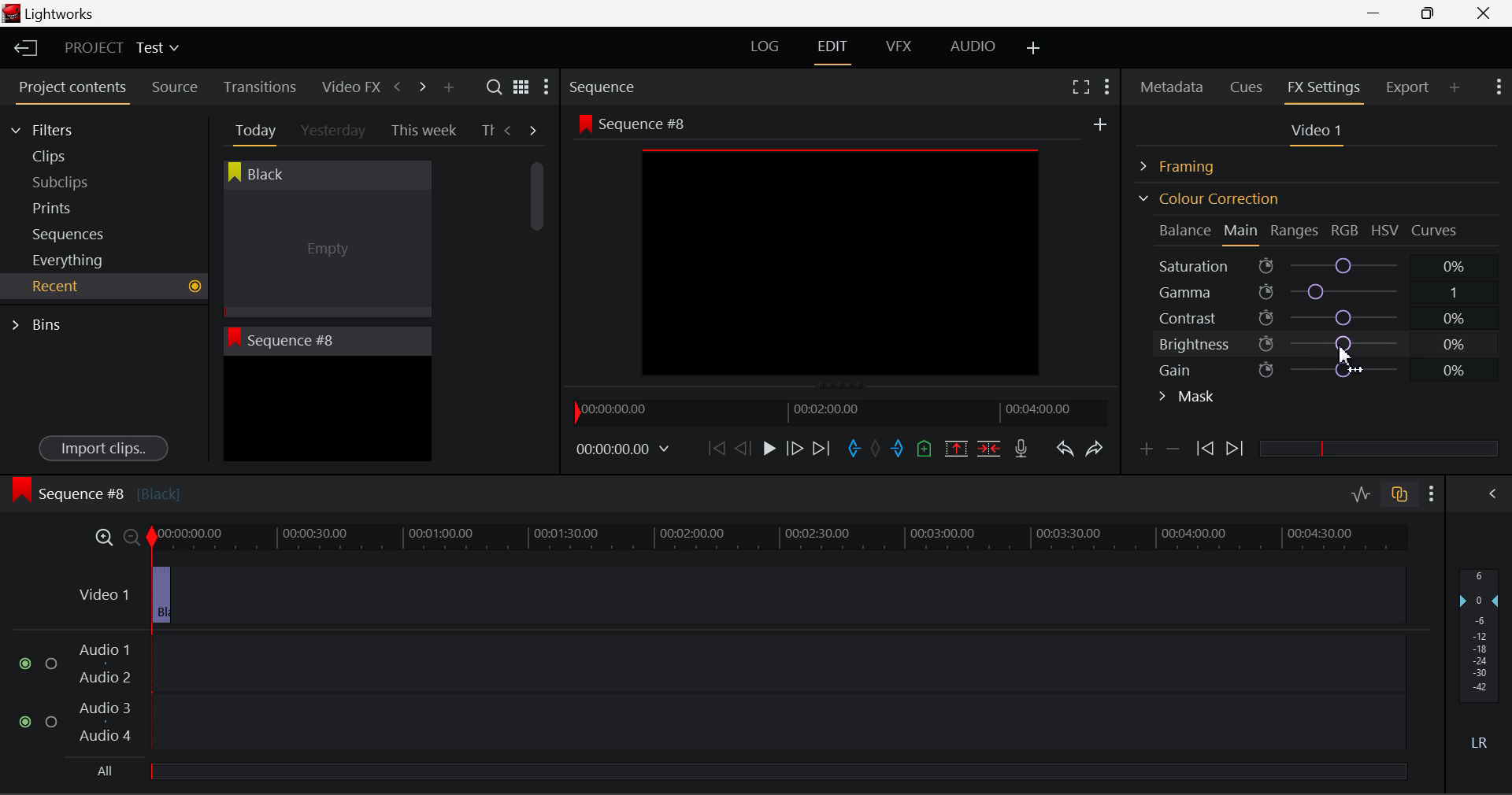 Image resolution: width=1512 pixels, height=795 pixels. Describe the element at coordinates (855, 449) in the screenshot. I see `Mark In` at that location.